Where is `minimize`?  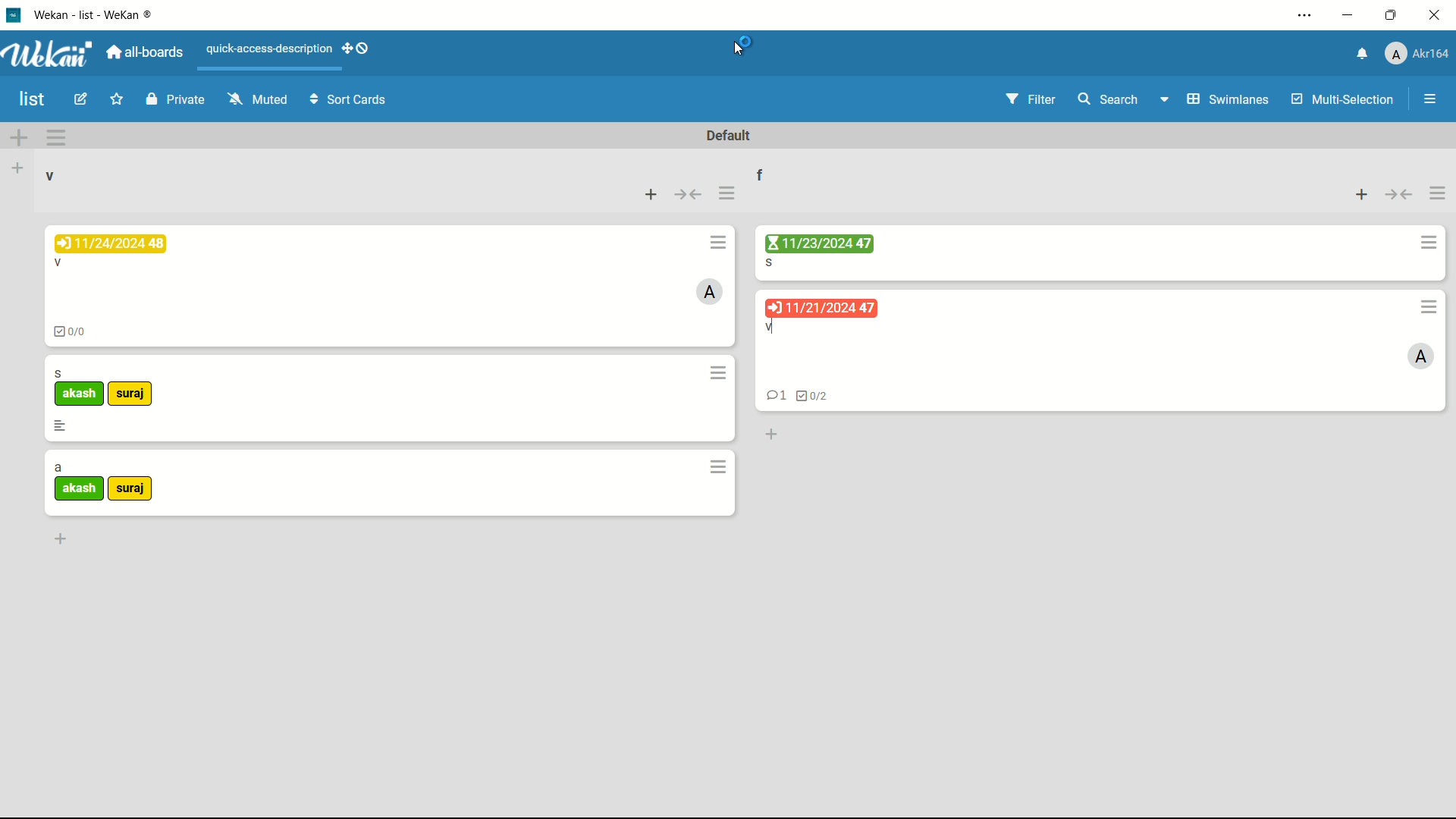 minimize is located at coordinates (1348, 17).